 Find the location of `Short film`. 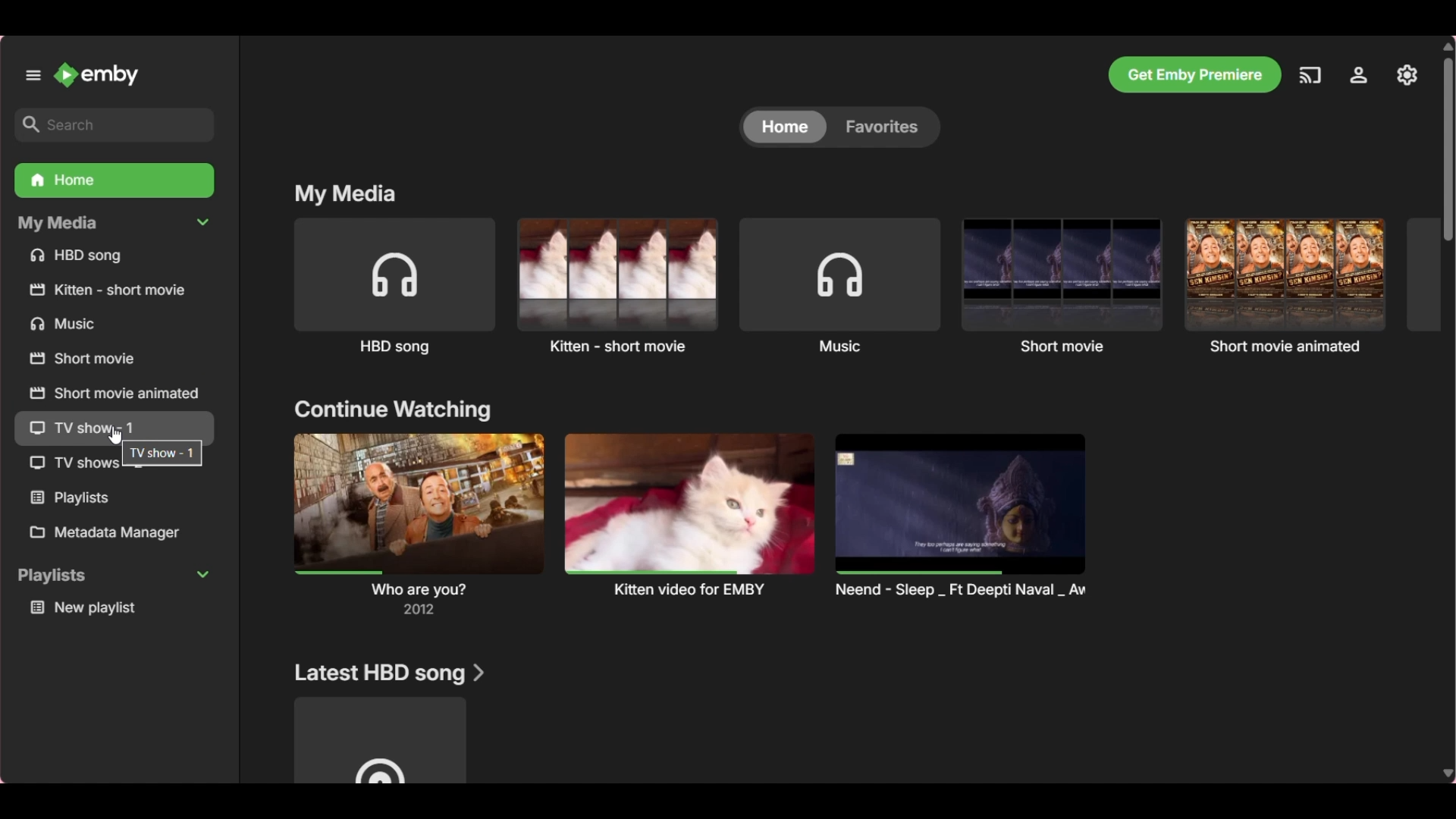

Short film is located at coordinates (115, 290).